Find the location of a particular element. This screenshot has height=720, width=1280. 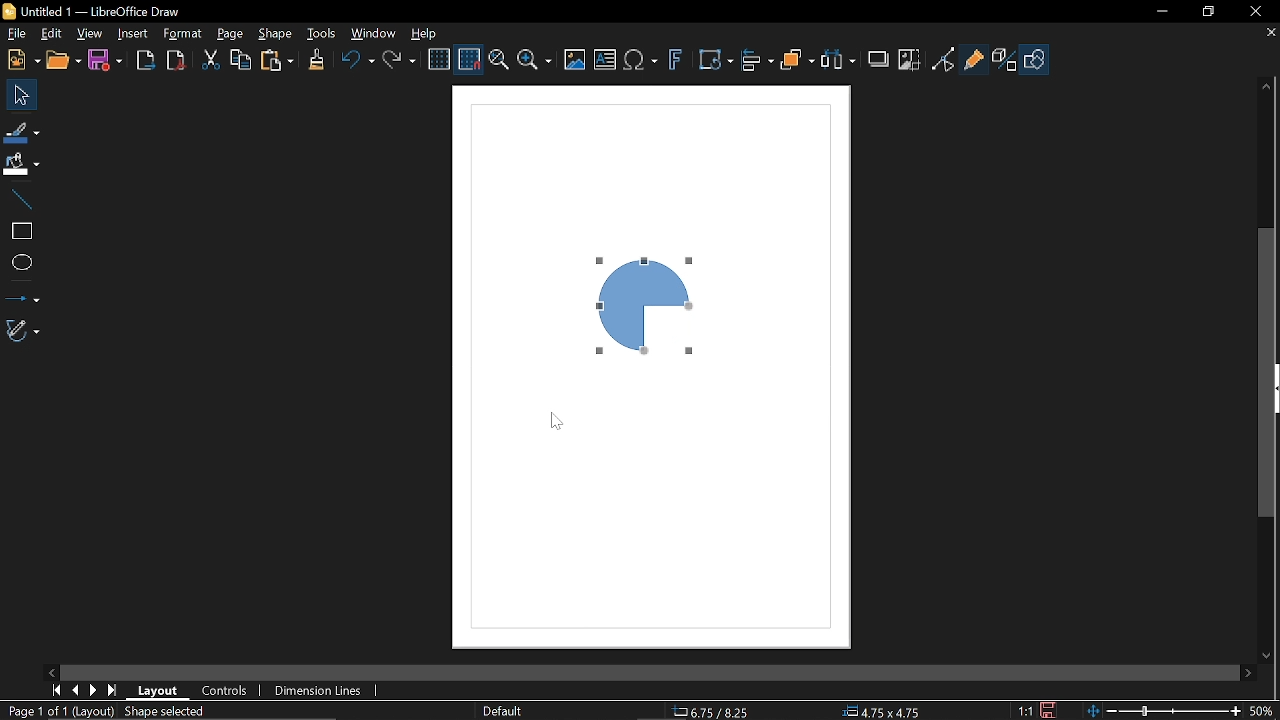

Insert equation is located at coordinates (641, 61).